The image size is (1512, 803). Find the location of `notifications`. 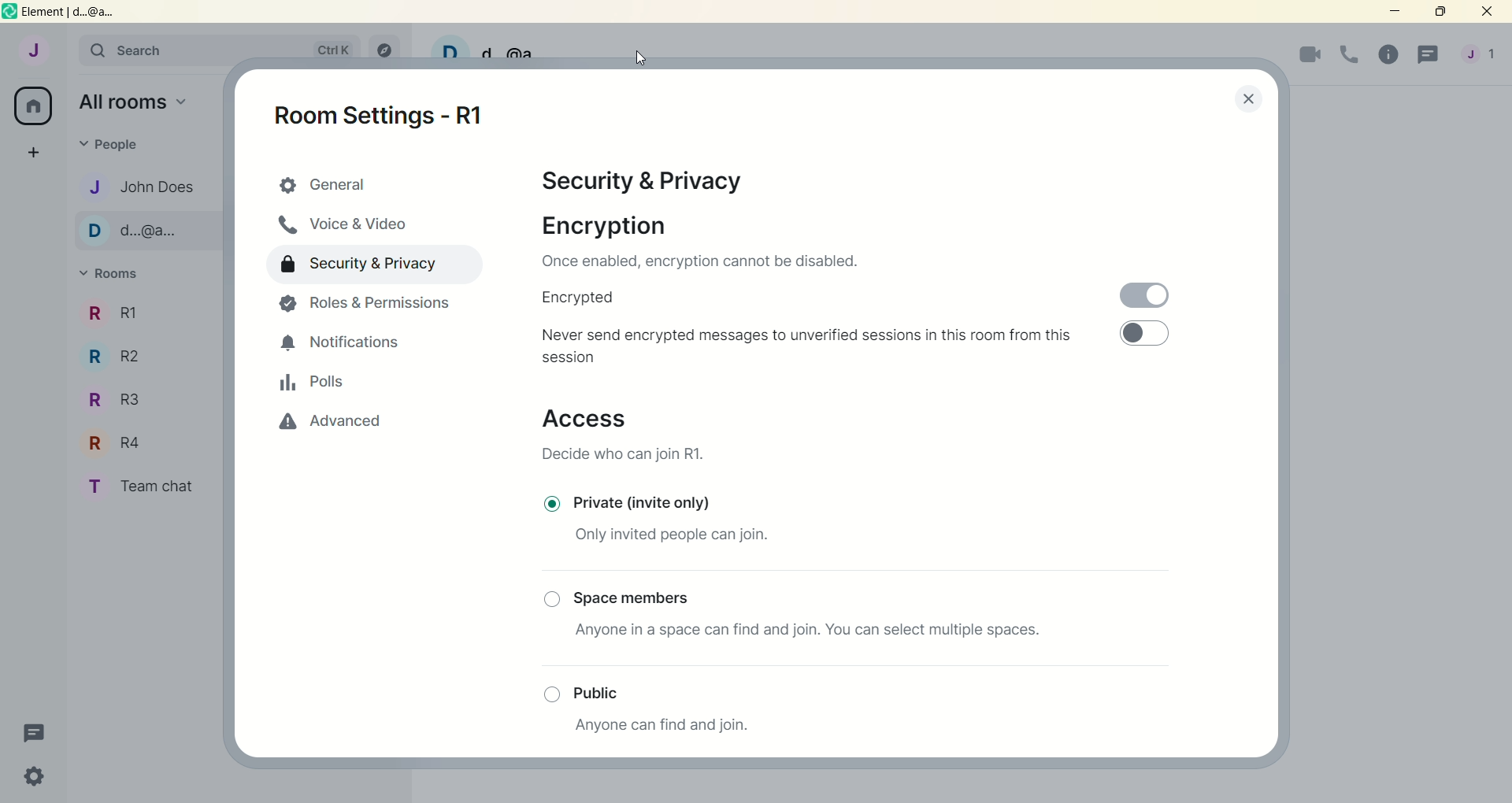

notifications is located at coordinates (346, 344).